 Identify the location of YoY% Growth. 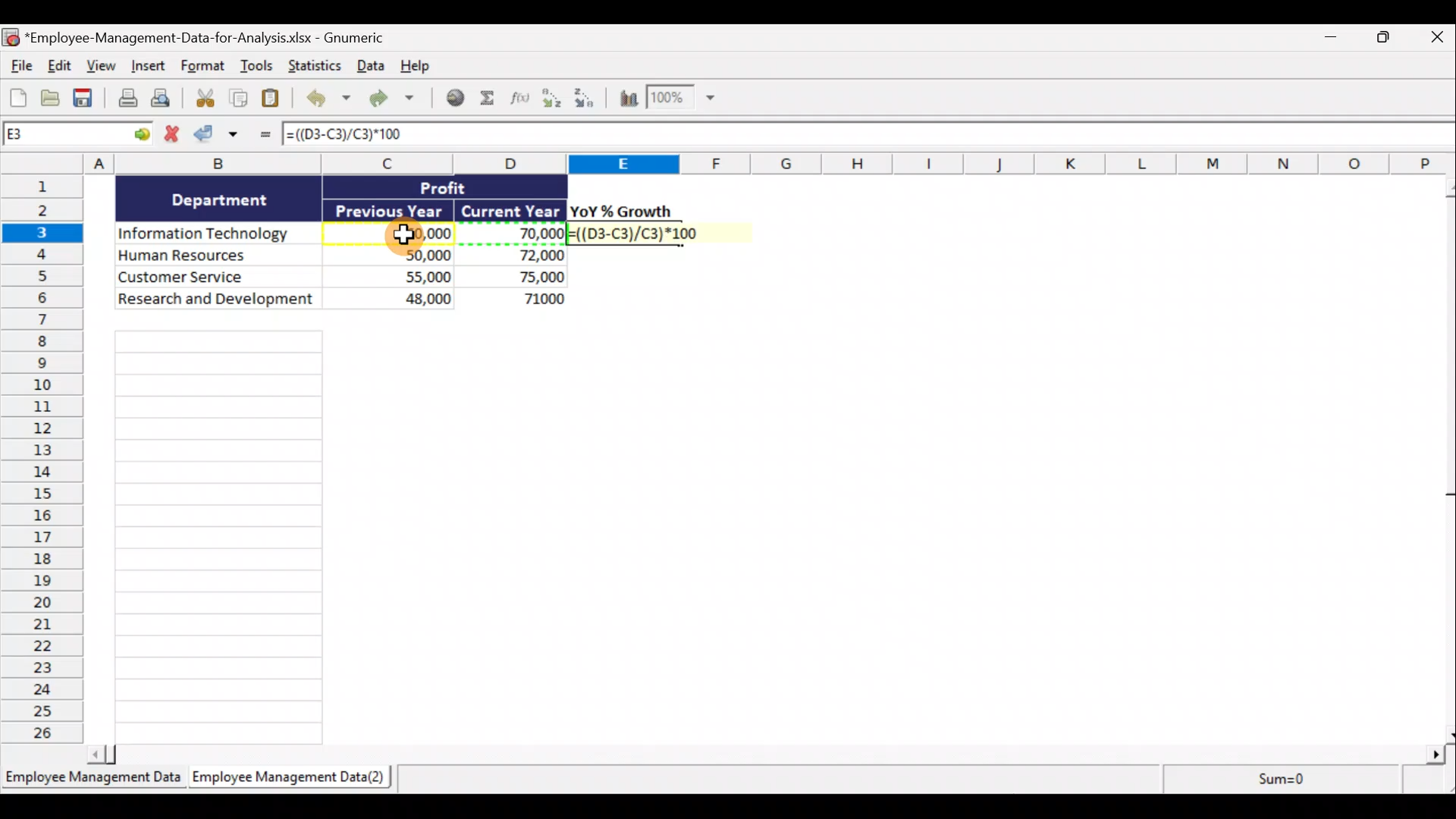
(622, 211).